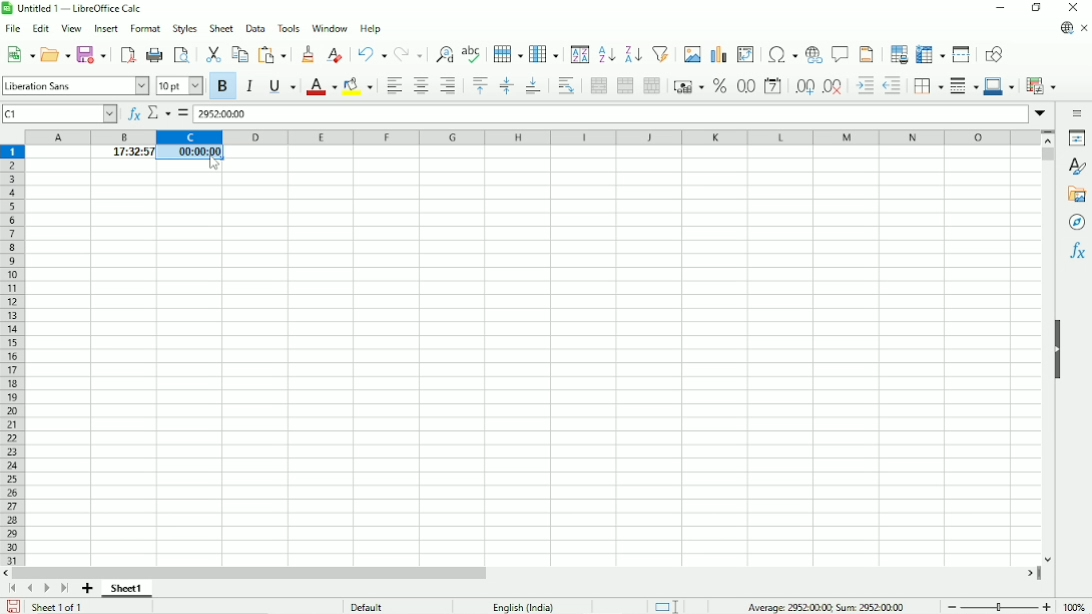  What do you see at coordinates (606, 54) in the screenshot?
I see `Sort ascending` at bounding box center [606, 54].